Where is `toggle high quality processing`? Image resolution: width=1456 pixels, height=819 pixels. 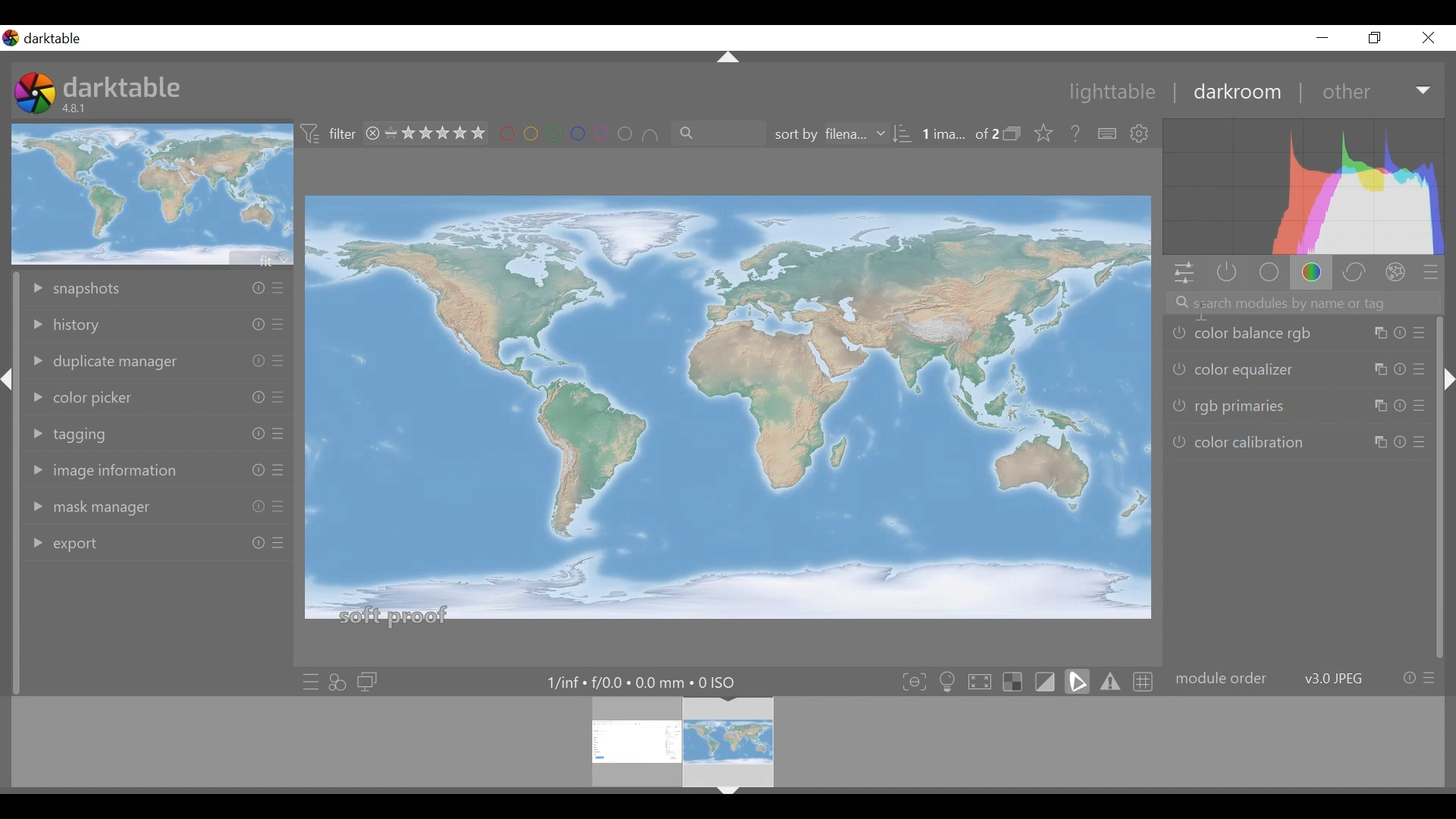 toggle high quality processing is located at coordinates (984, 681).